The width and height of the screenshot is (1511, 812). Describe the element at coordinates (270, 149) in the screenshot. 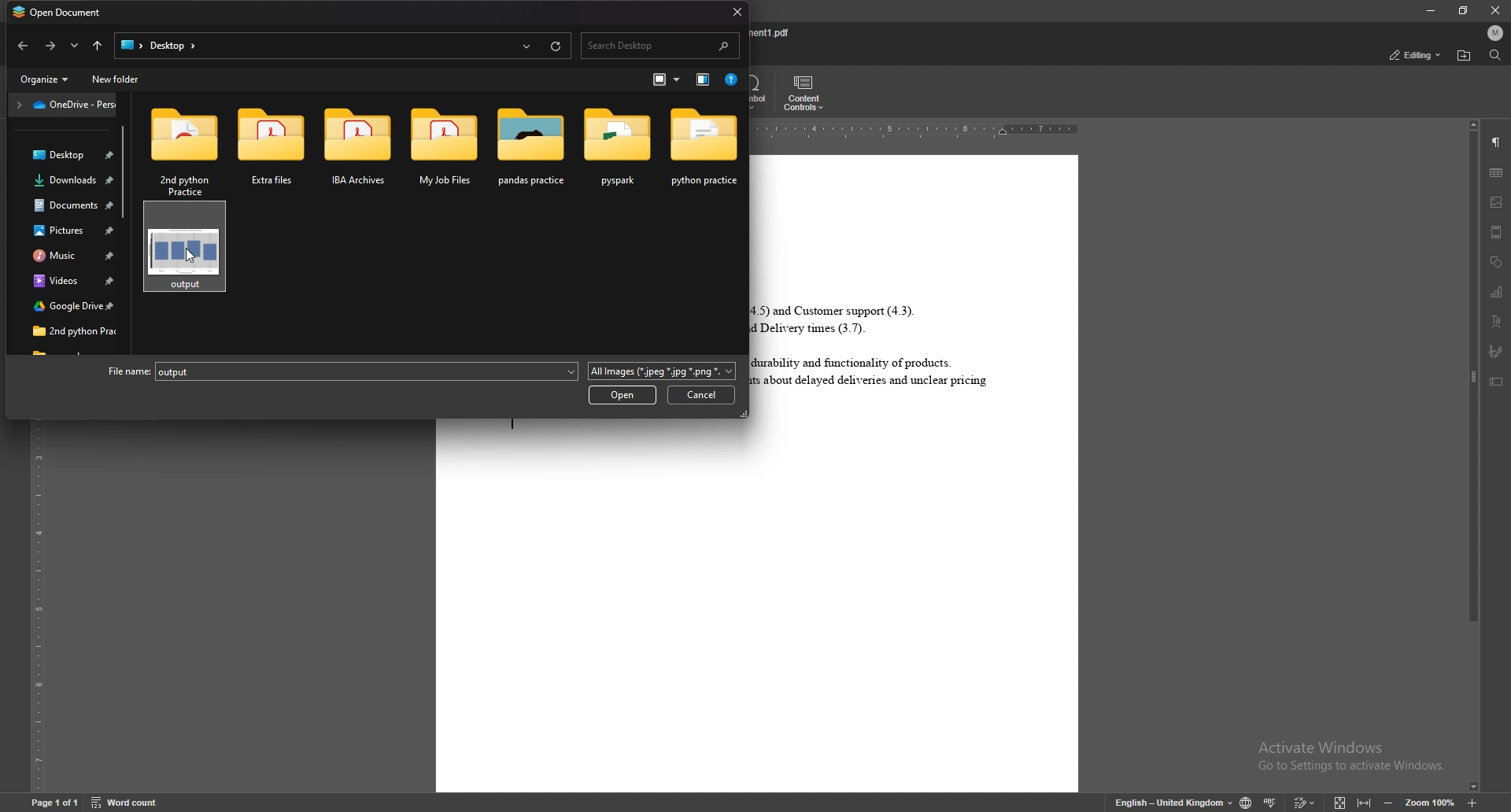

I see `folder` at that location.